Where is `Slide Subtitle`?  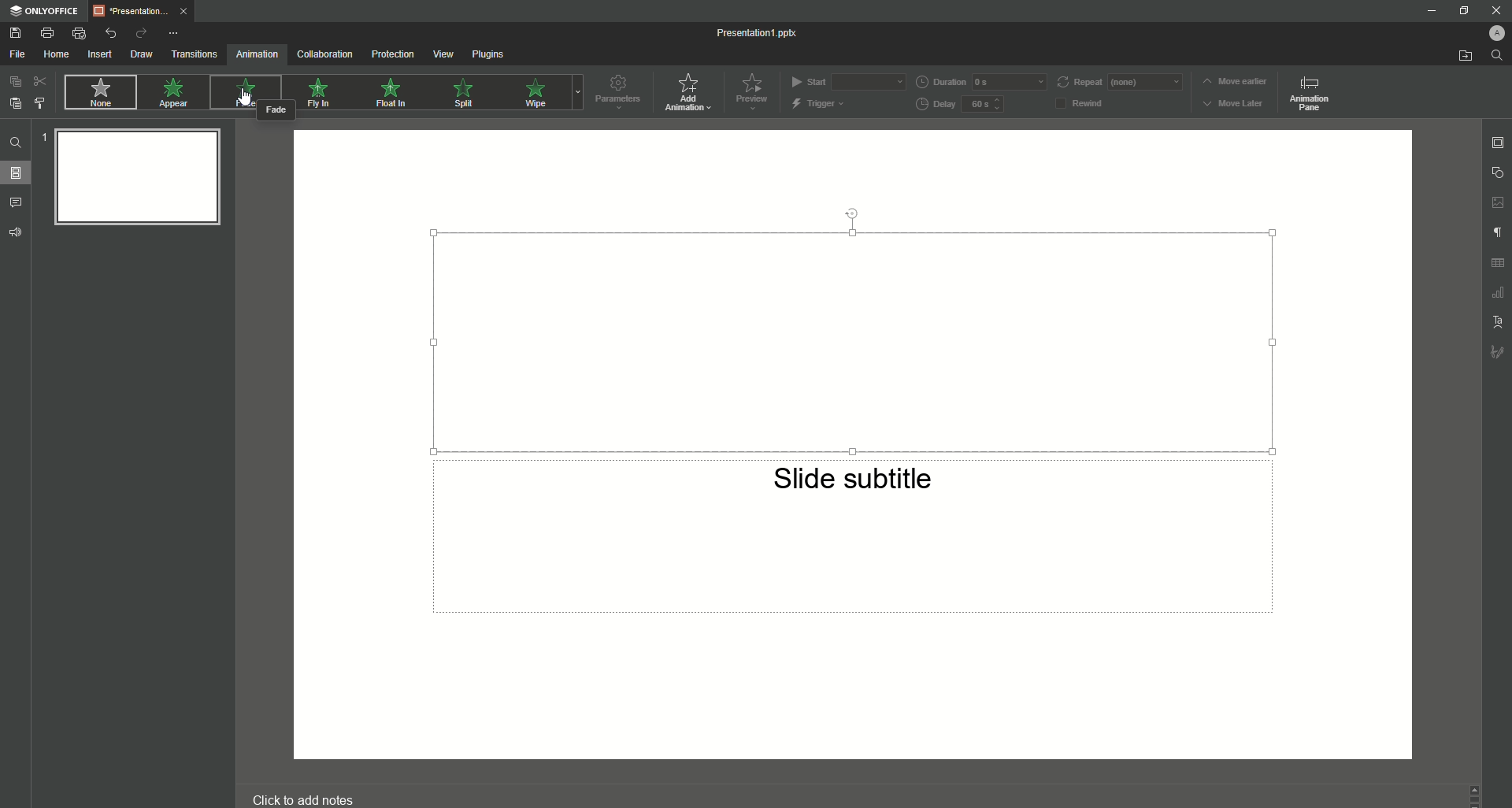
Slide Subtitle is located at coordinates (859, 482).